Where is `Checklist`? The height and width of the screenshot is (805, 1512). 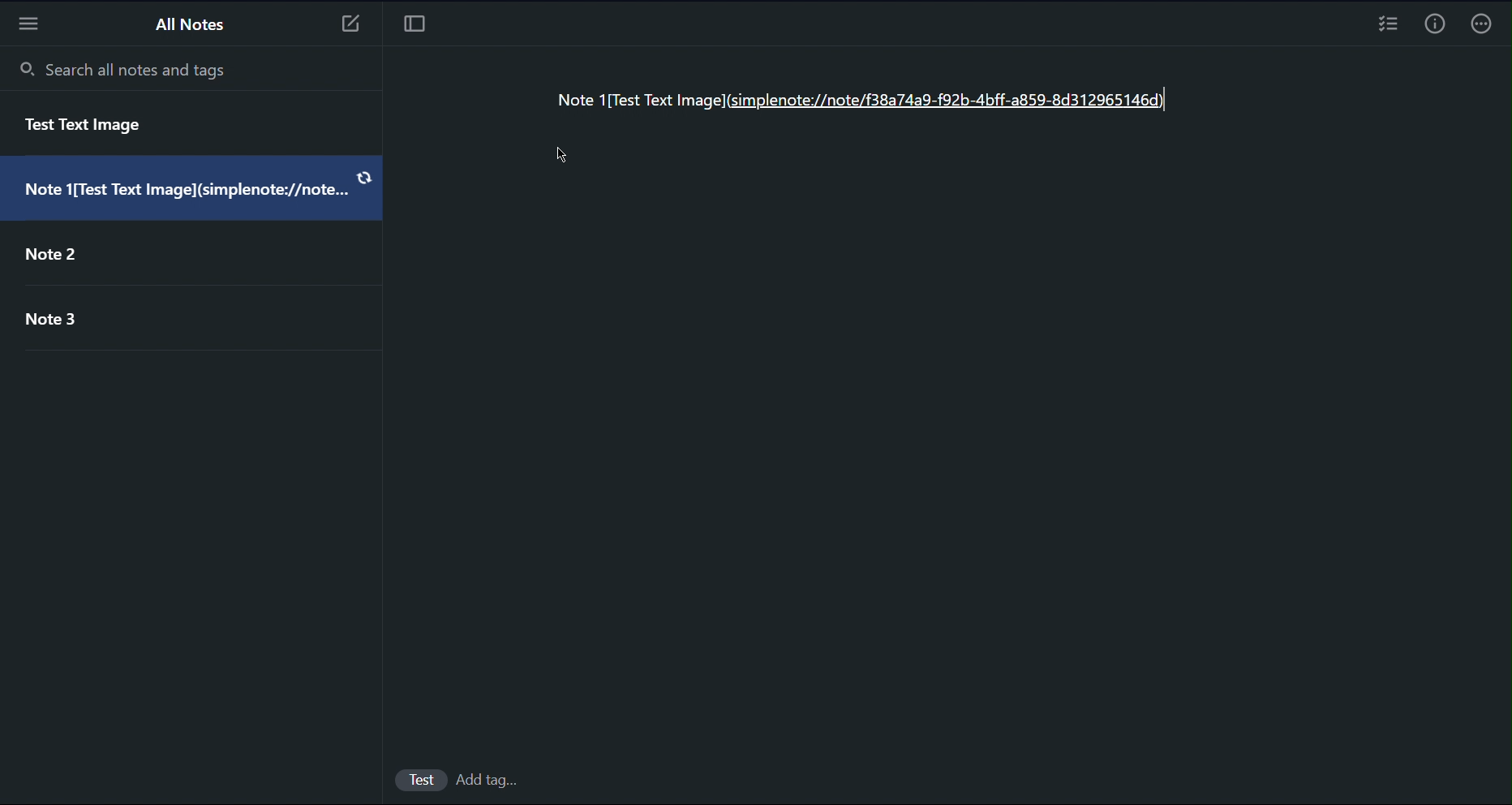 Checklist is located at coordinates (1388, 27).